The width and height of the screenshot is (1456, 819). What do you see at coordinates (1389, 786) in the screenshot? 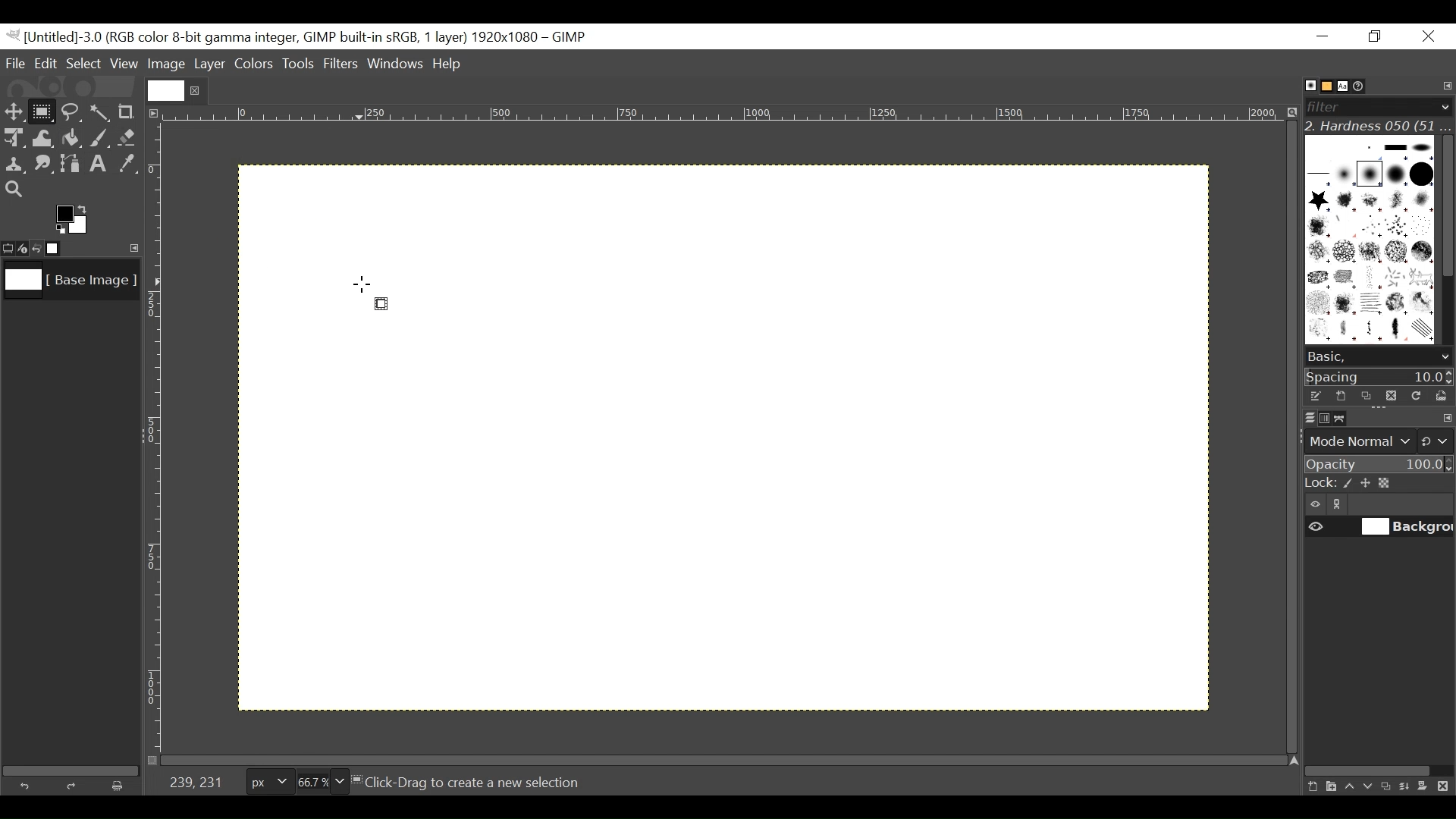
I see `Duplicate this layer` at bounding box center [1389, 786].